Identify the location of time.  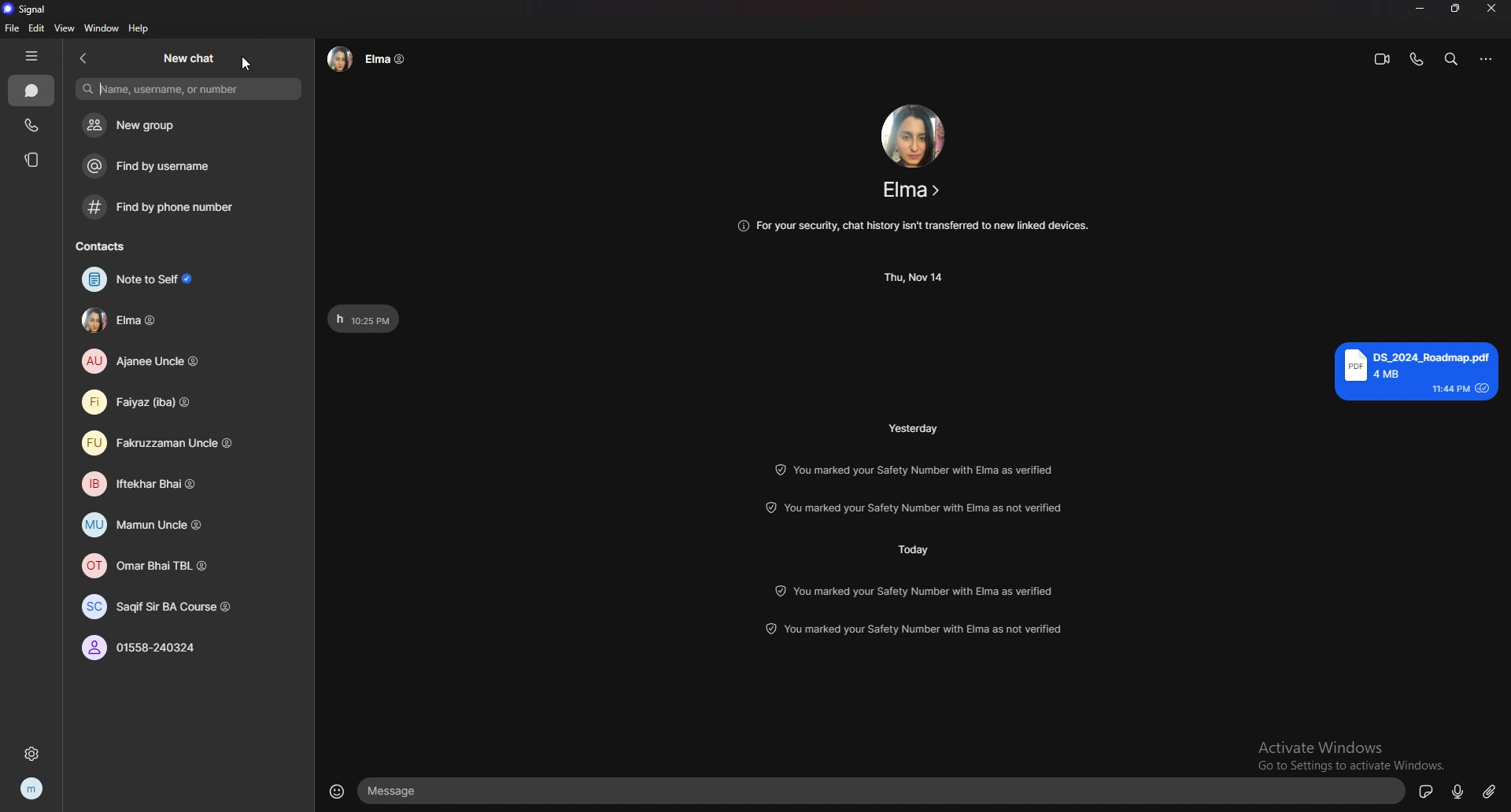
(916, 427).